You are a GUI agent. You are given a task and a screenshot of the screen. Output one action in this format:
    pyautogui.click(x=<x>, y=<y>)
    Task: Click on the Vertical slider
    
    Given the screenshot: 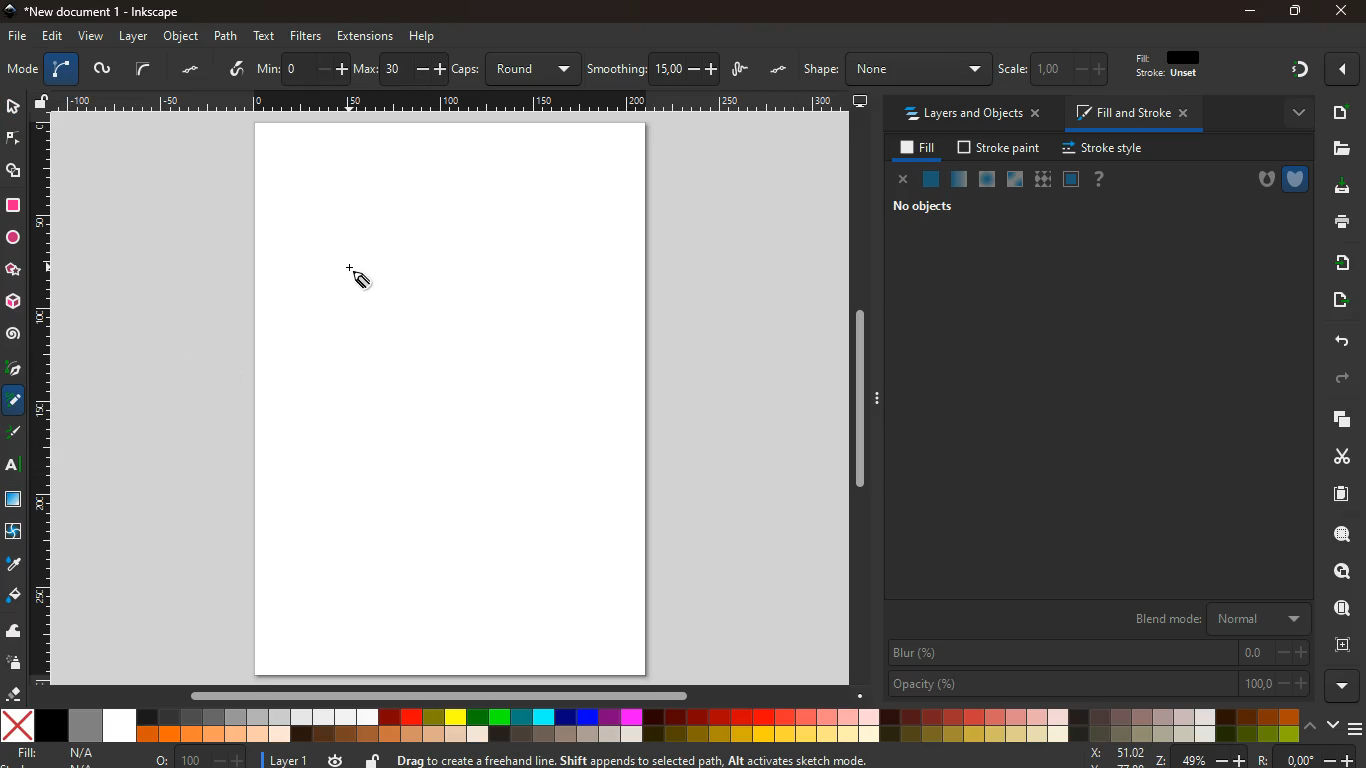 What is the action you would take?
    pyautogui.click(x=862, y=399)
    